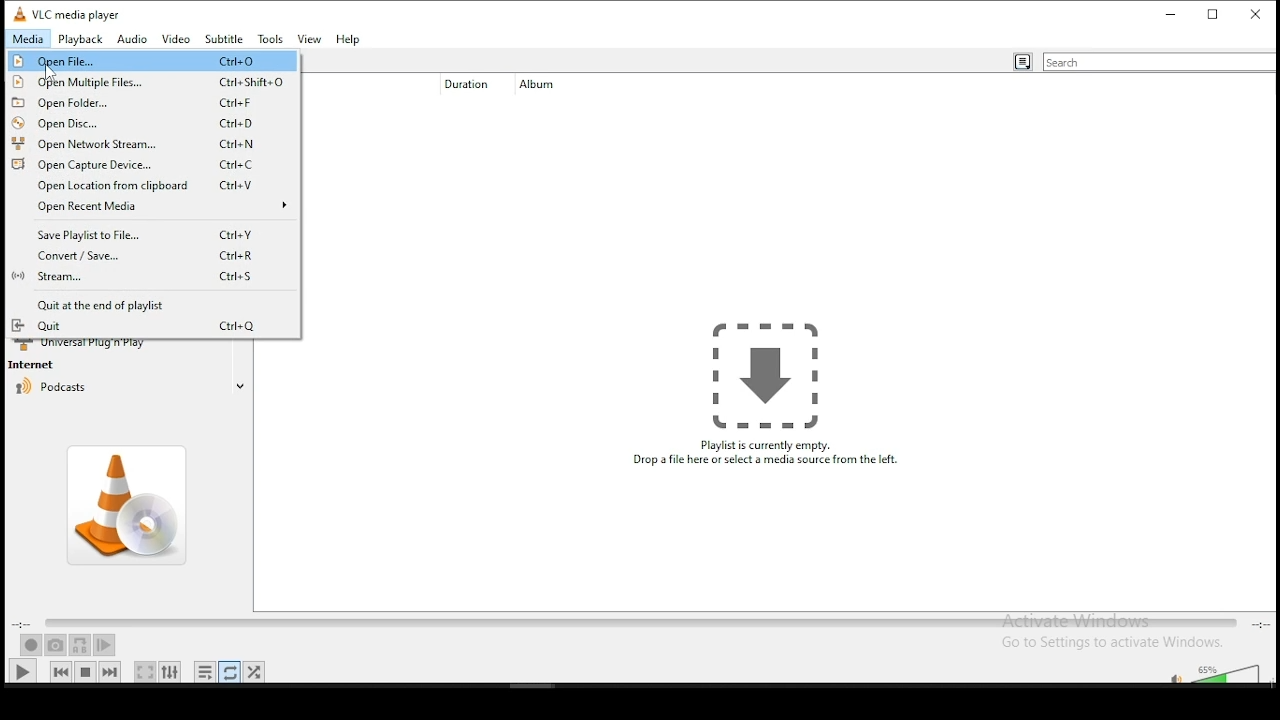 The image size is (1280, 720). What do you see at coordinates (1257, 13) in the screenshot?
I see `close window` at bounding box center [1257, 13].